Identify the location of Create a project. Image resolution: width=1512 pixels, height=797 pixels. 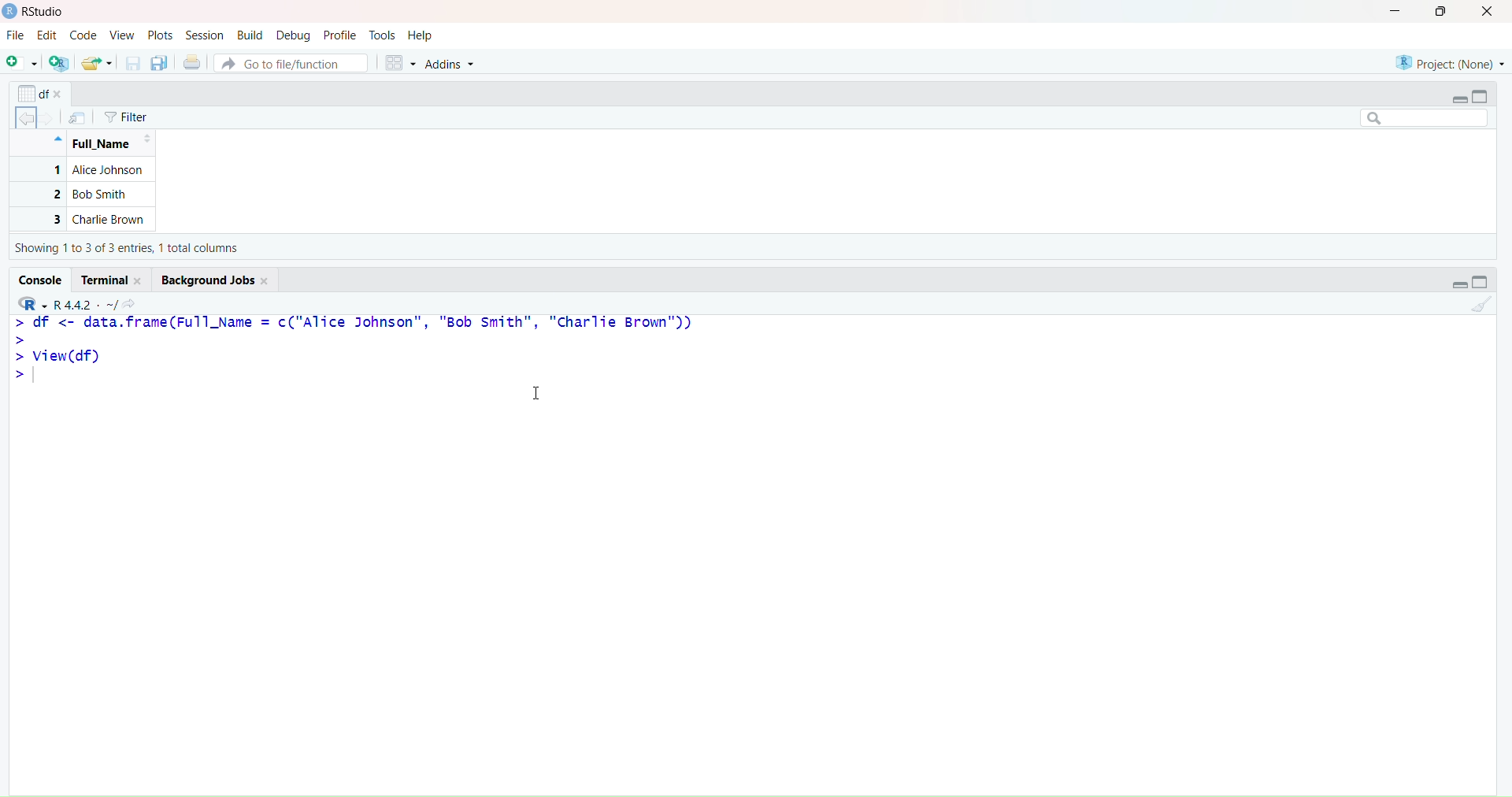
(60, 63).